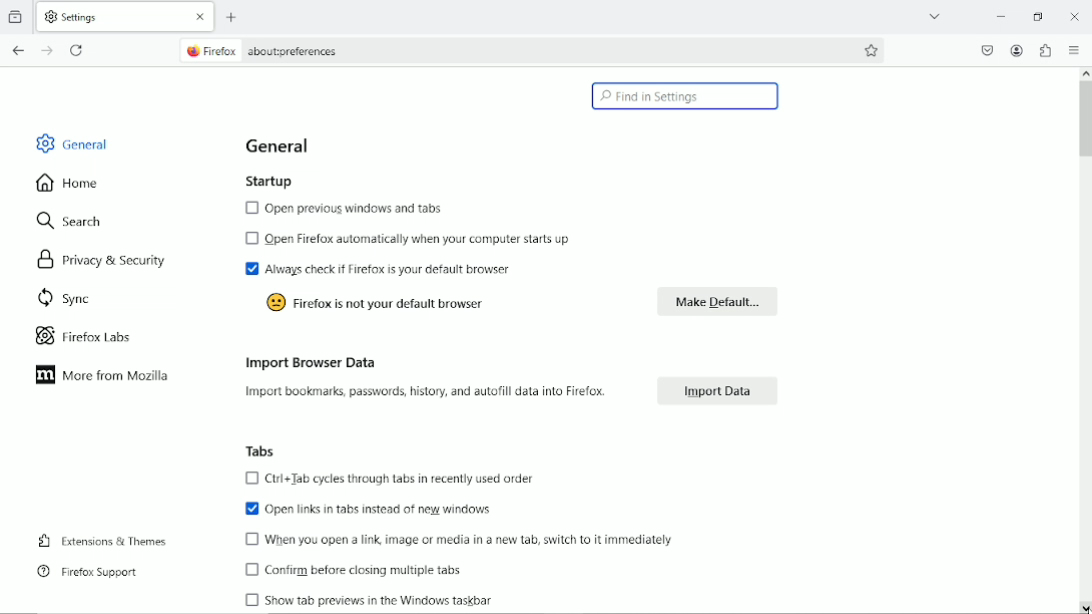 This screenshot has height=614, width=1092. Describe the element at coordinates (377, 268) in the screenshot. I see `Always chech if firefox is your default browser` at that location.